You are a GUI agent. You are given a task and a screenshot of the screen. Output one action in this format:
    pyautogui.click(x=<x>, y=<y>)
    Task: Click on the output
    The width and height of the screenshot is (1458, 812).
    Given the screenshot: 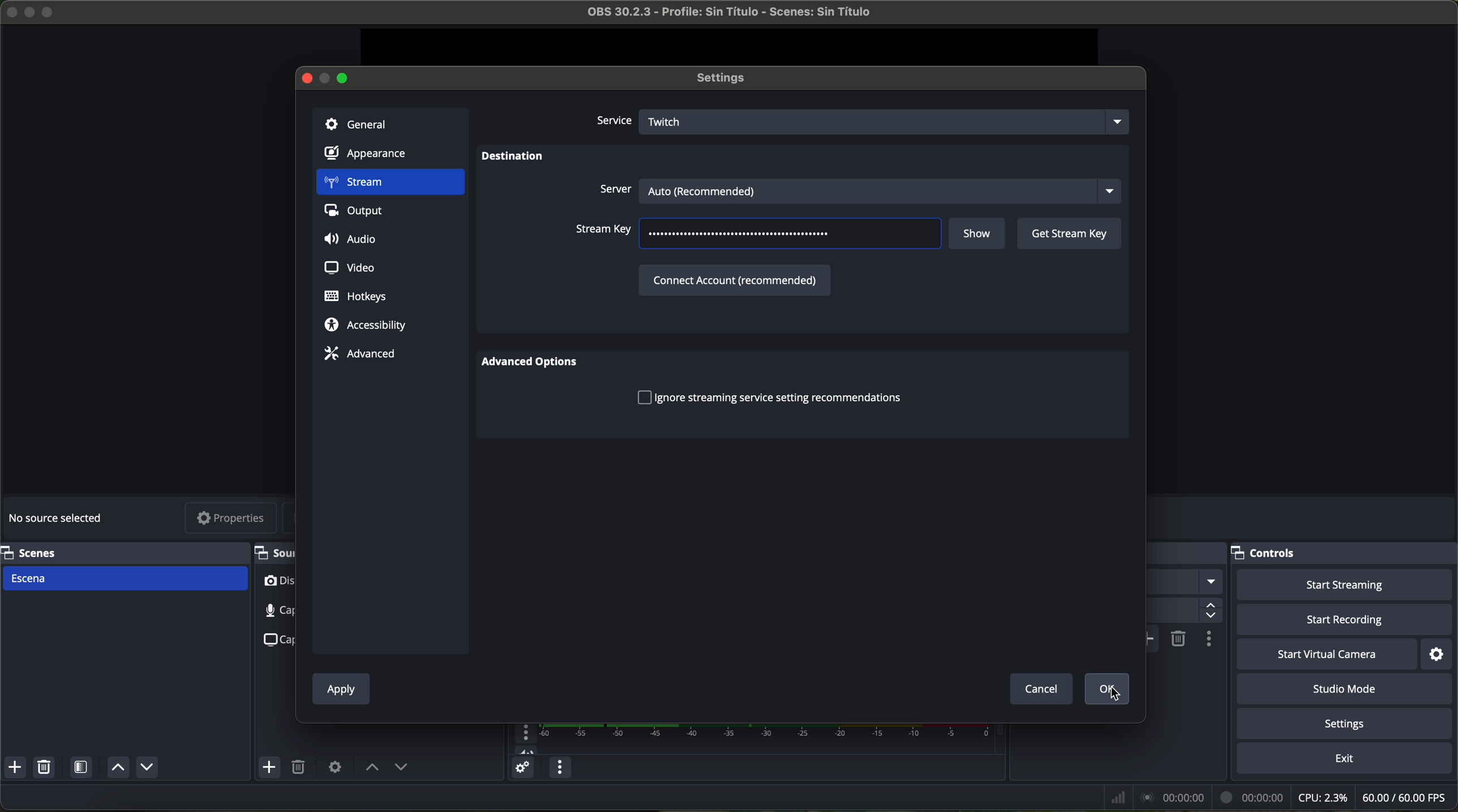 What is the action you would take?
    pyautogui.click(x=358, y=213)
    